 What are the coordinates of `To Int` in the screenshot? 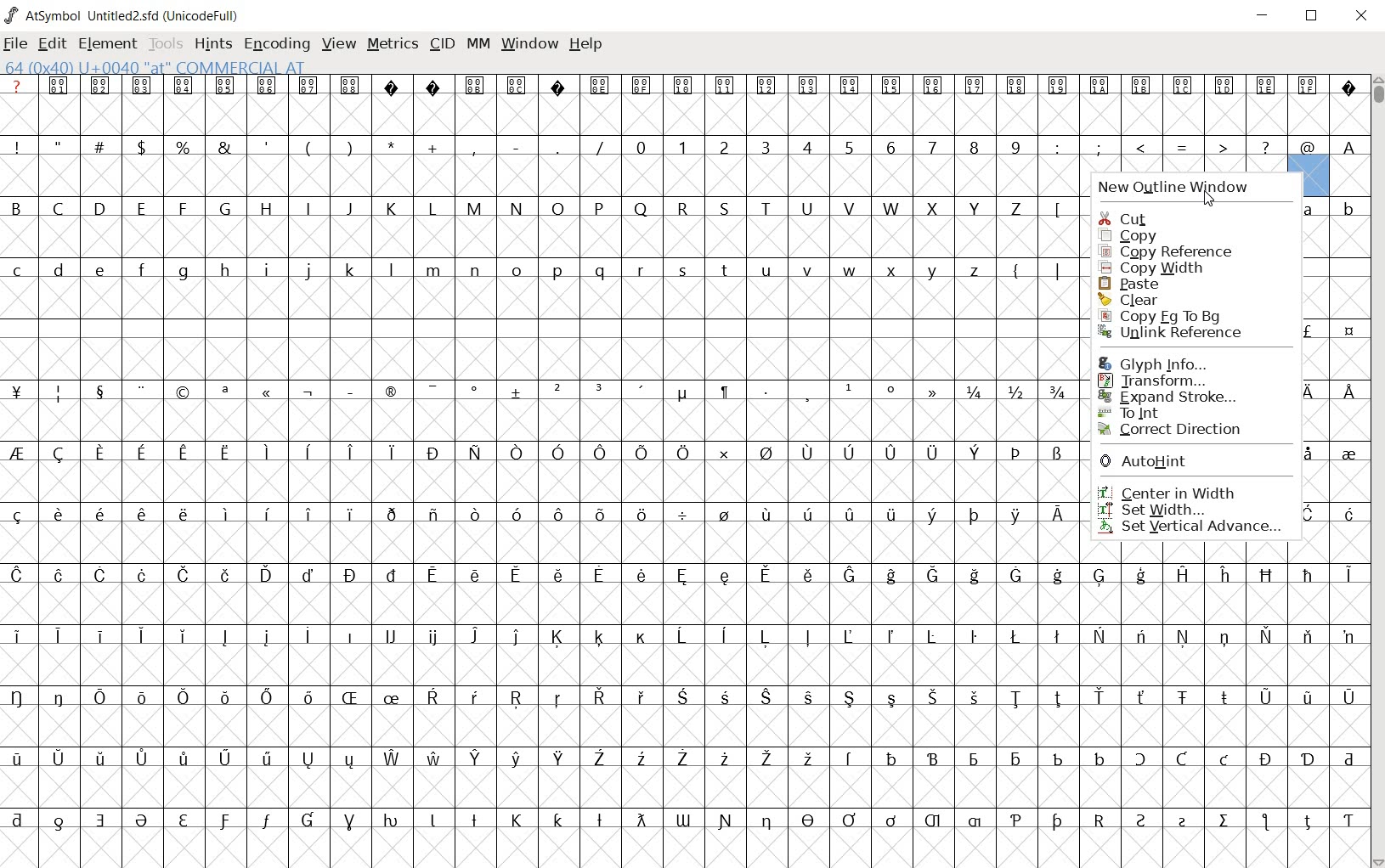 It's located at (1129, 414).